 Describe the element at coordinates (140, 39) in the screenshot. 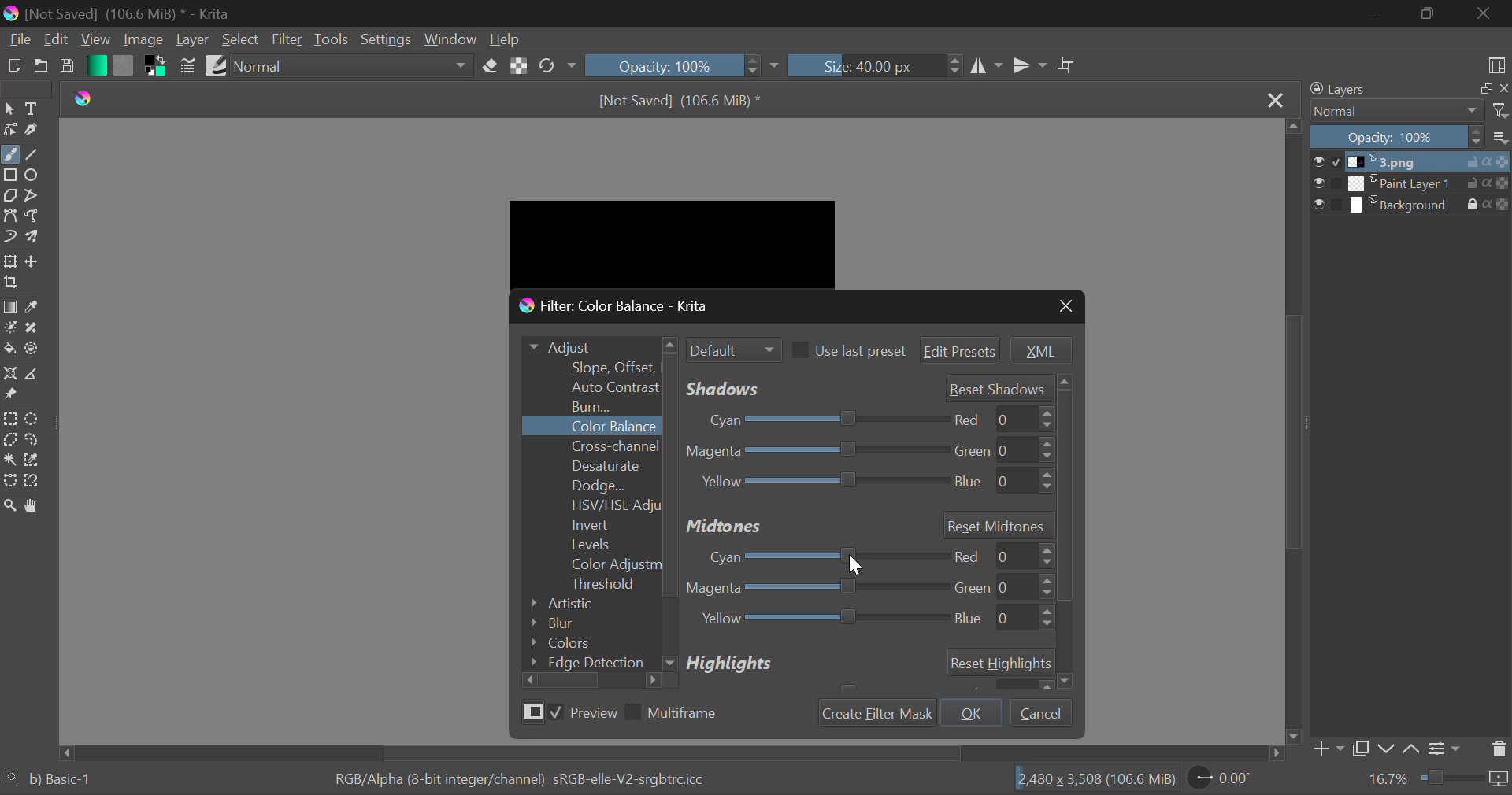

I see `Image` at that location.